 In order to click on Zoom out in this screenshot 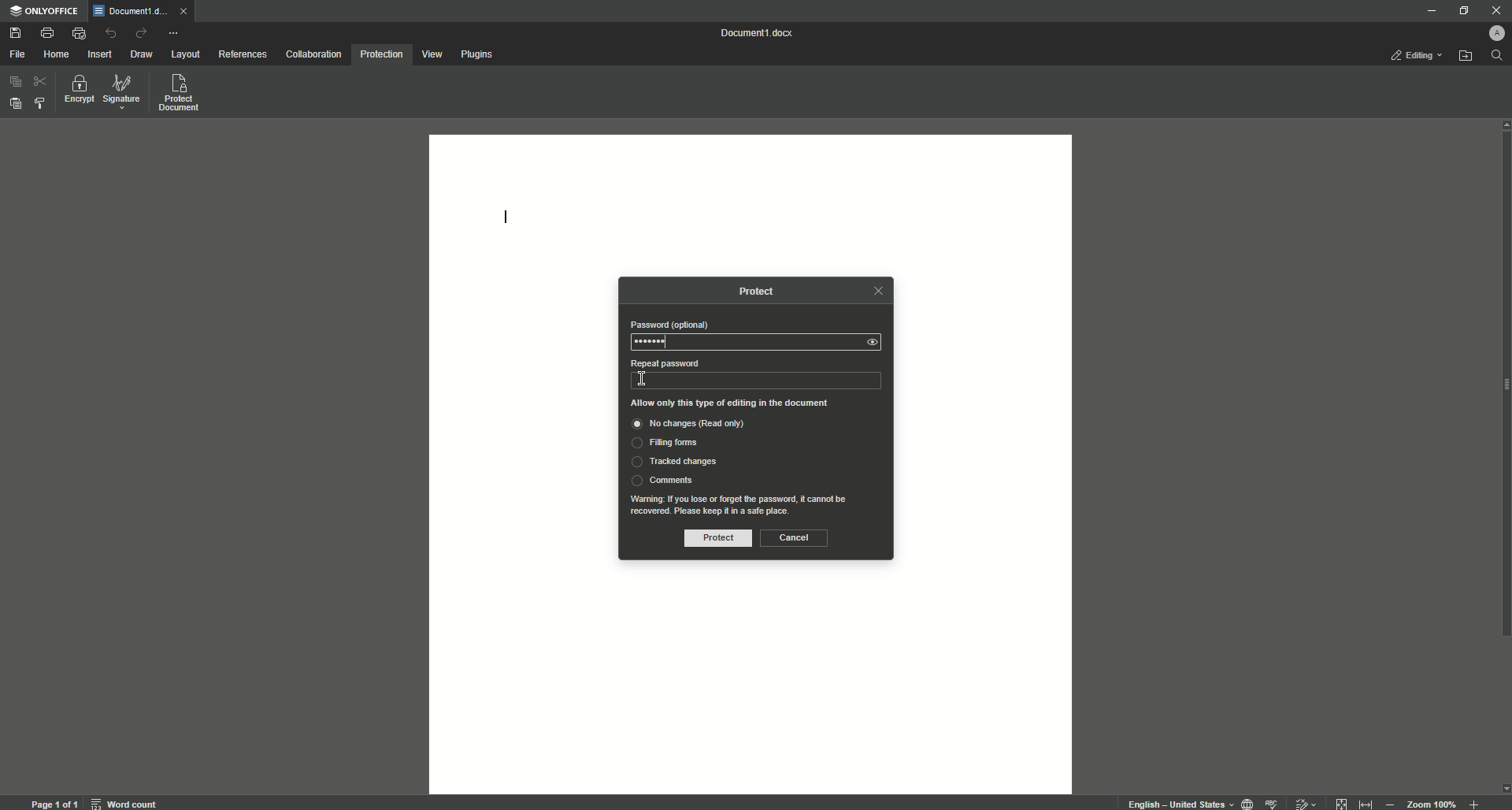, I will do `click(1389, 801)`.